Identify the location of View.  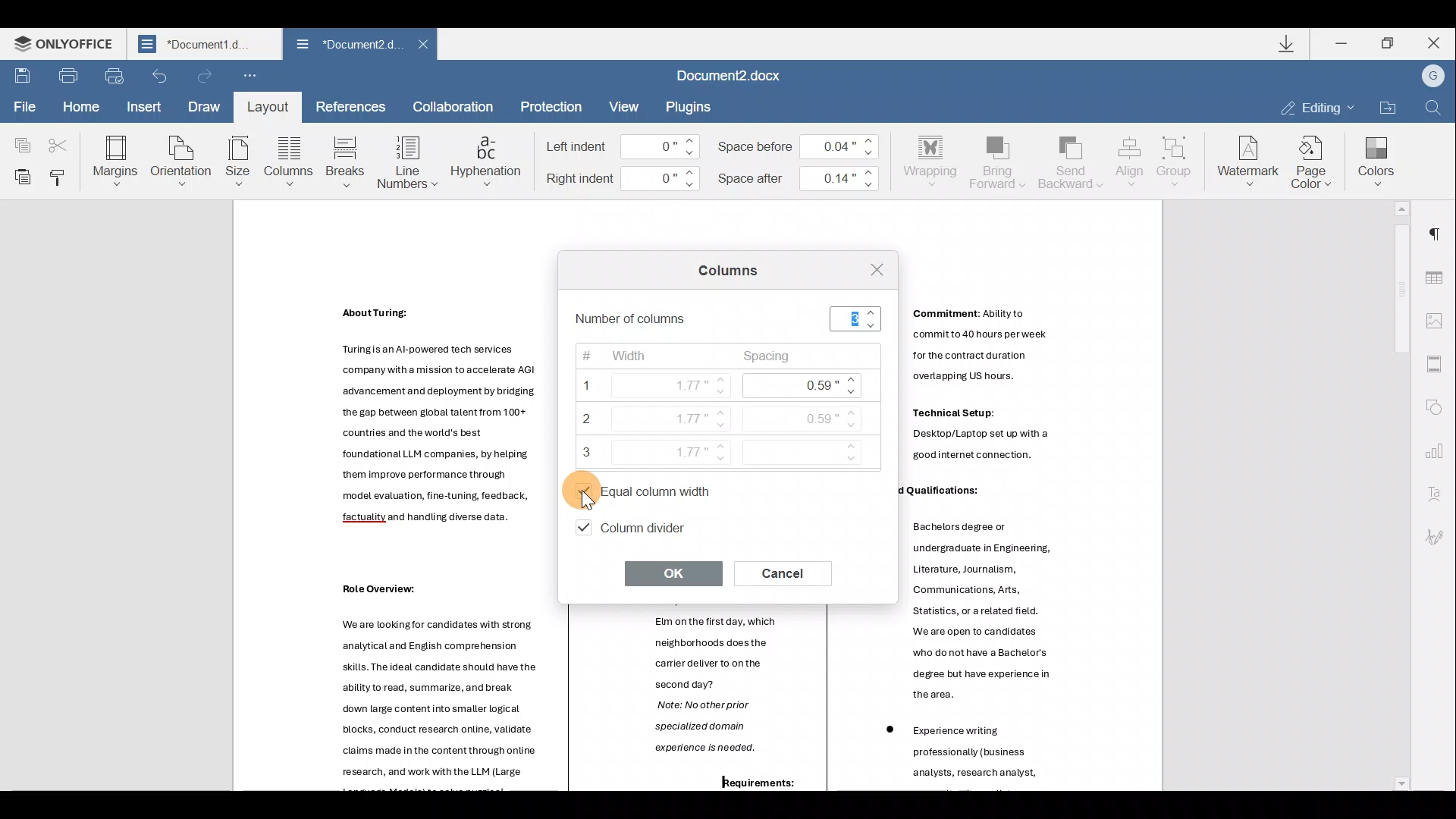
(625, 106).